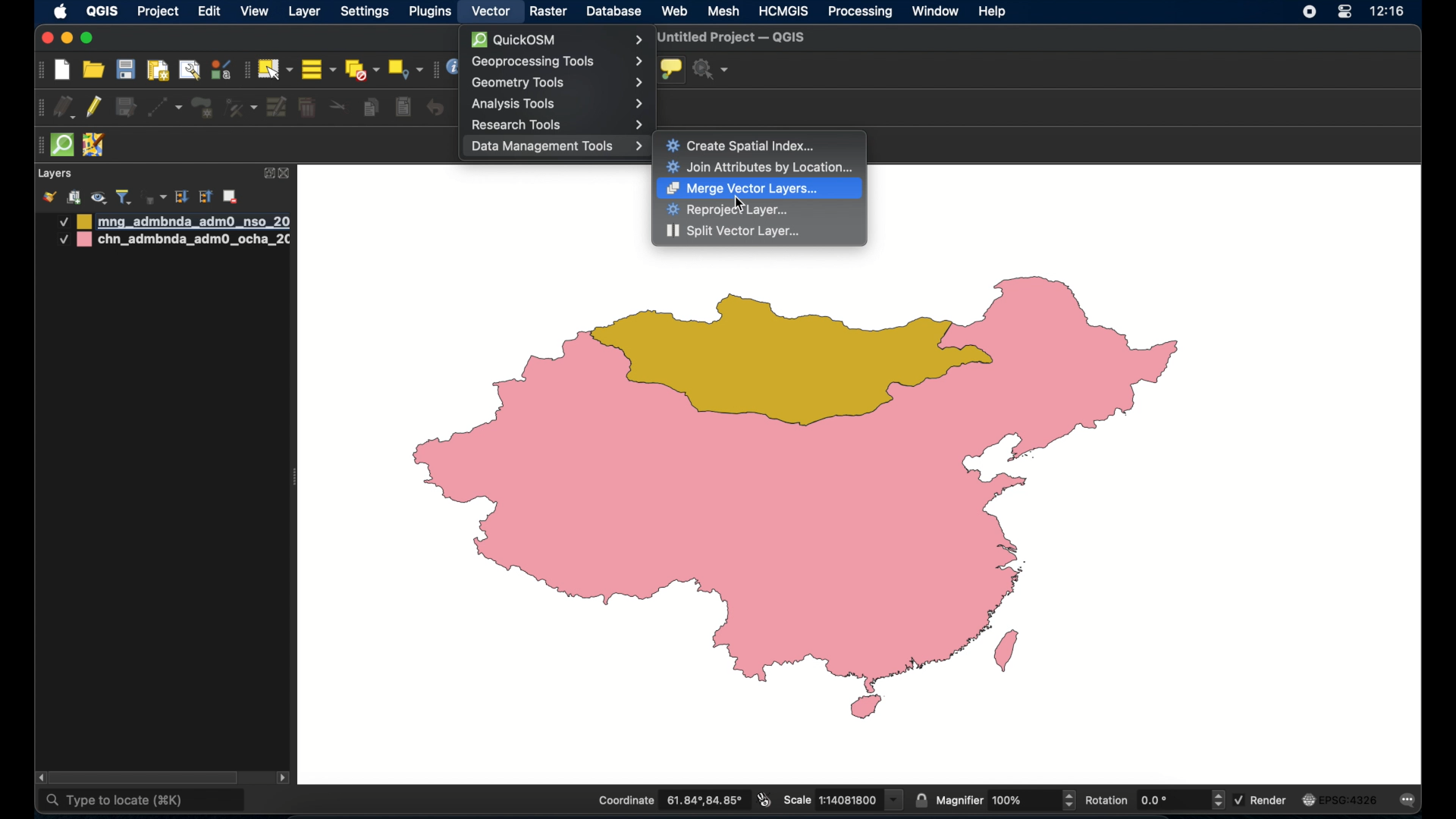  What do you see at coordinates (783, 11) in the screenshot?
I see `HCMGIS` at bounding box center [783, 11].